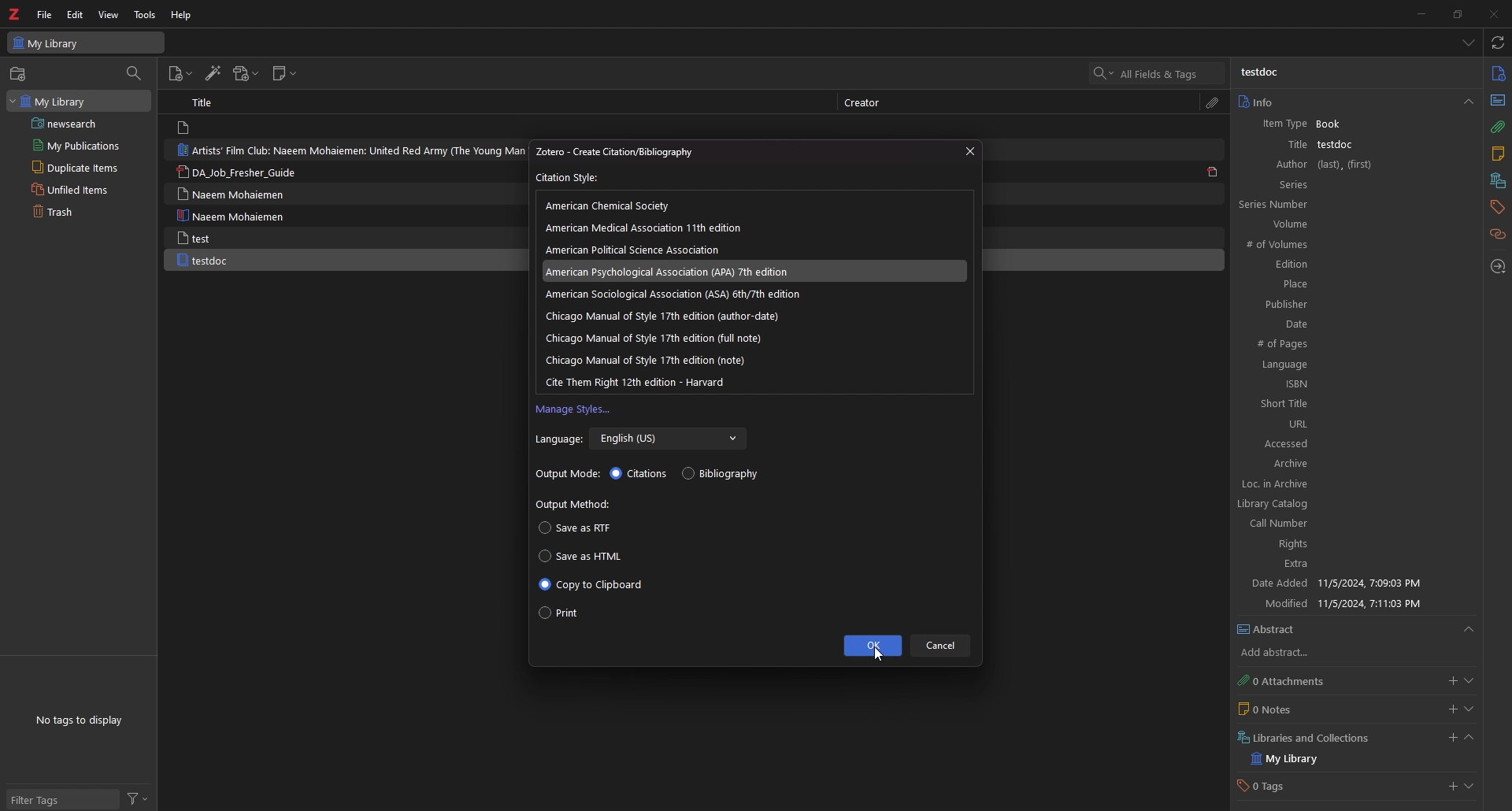 This screenshot has height=811, width=1512. Describe the element at coordinates (613, 206) in the screenshot. I see `american chemical scoeity` at that location.